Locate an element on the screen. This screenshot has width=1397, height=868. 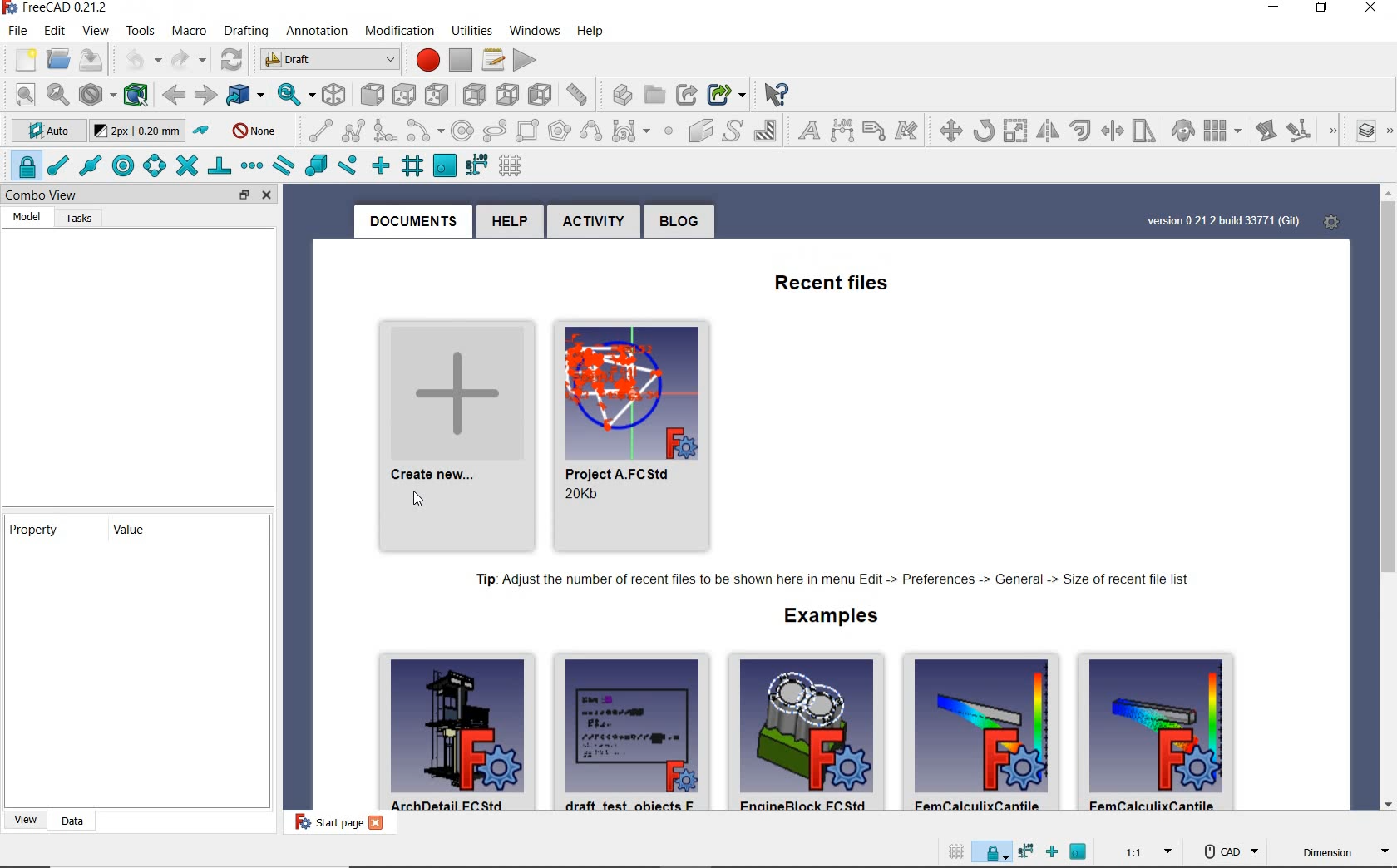
annotation styles is located at coordinates (904, 131).